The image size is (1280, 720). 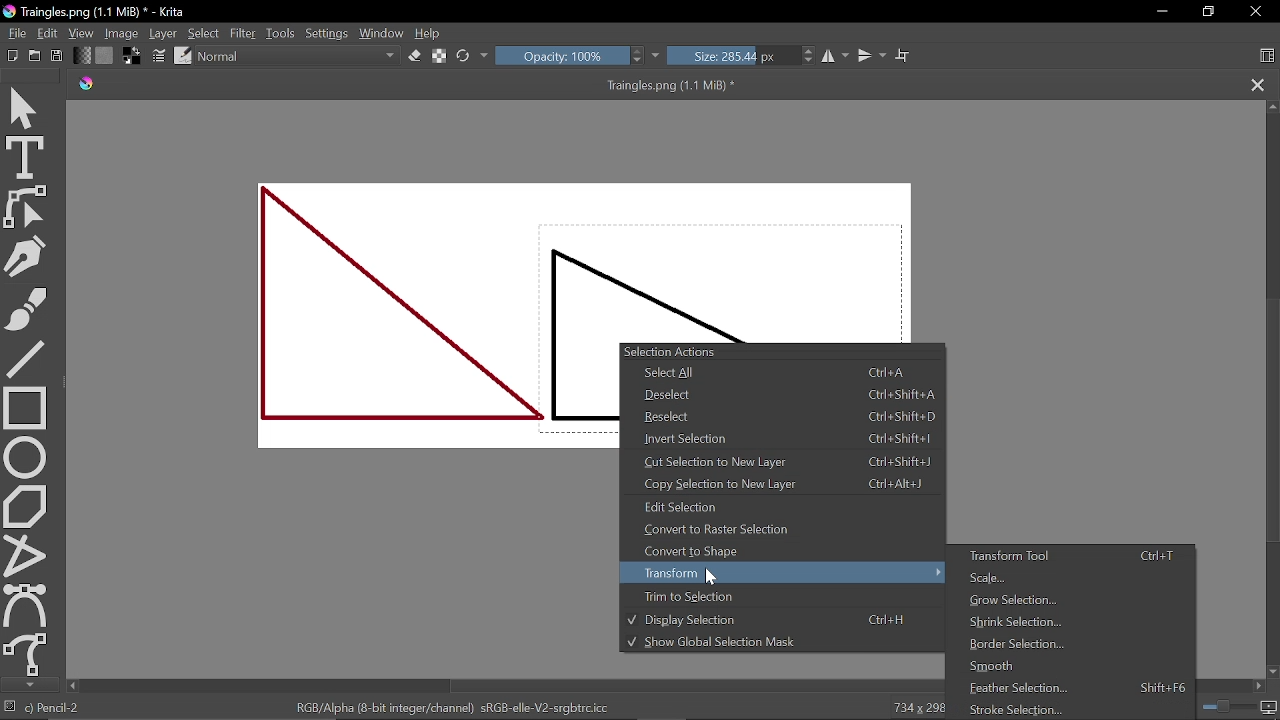 I want to click on Cut selection to new layer, so click(x=785, y=462).